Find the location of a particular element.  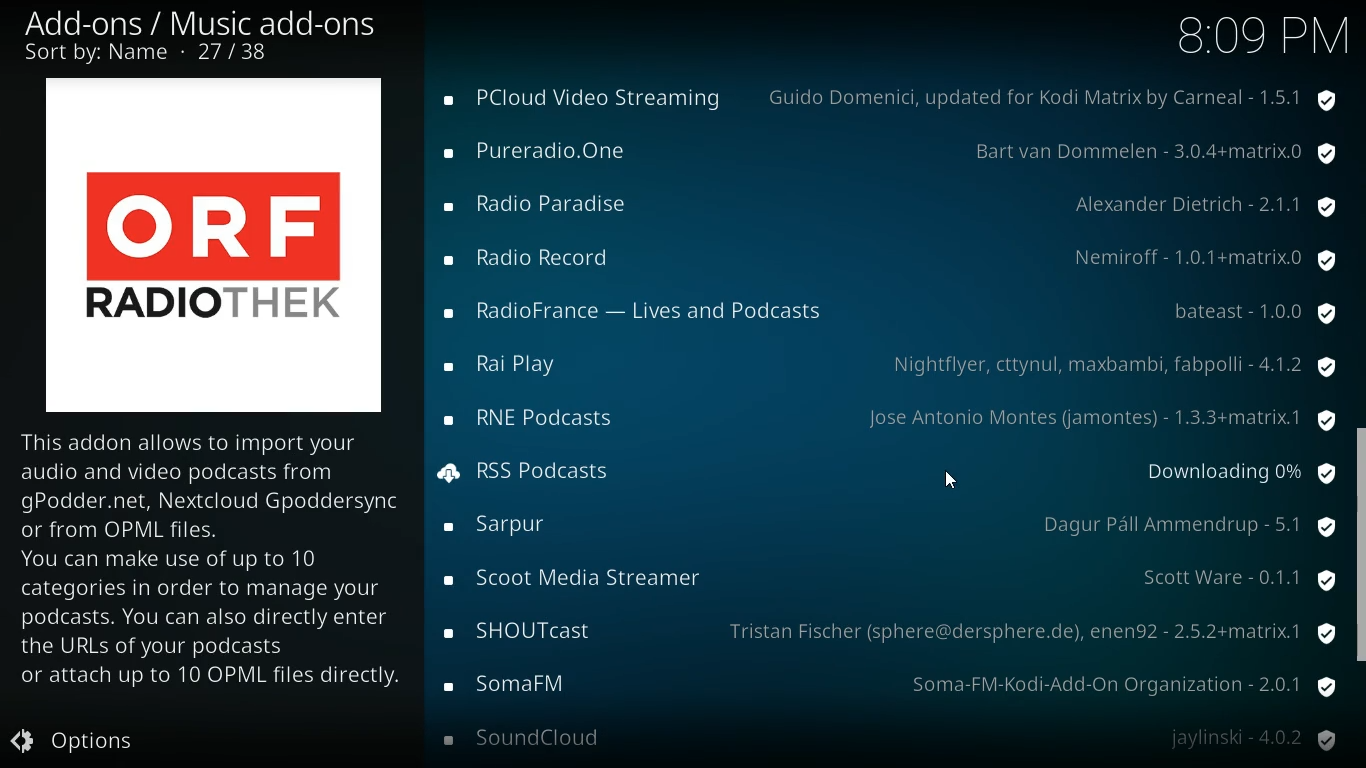

provider is located at coordinates (1211, 211).